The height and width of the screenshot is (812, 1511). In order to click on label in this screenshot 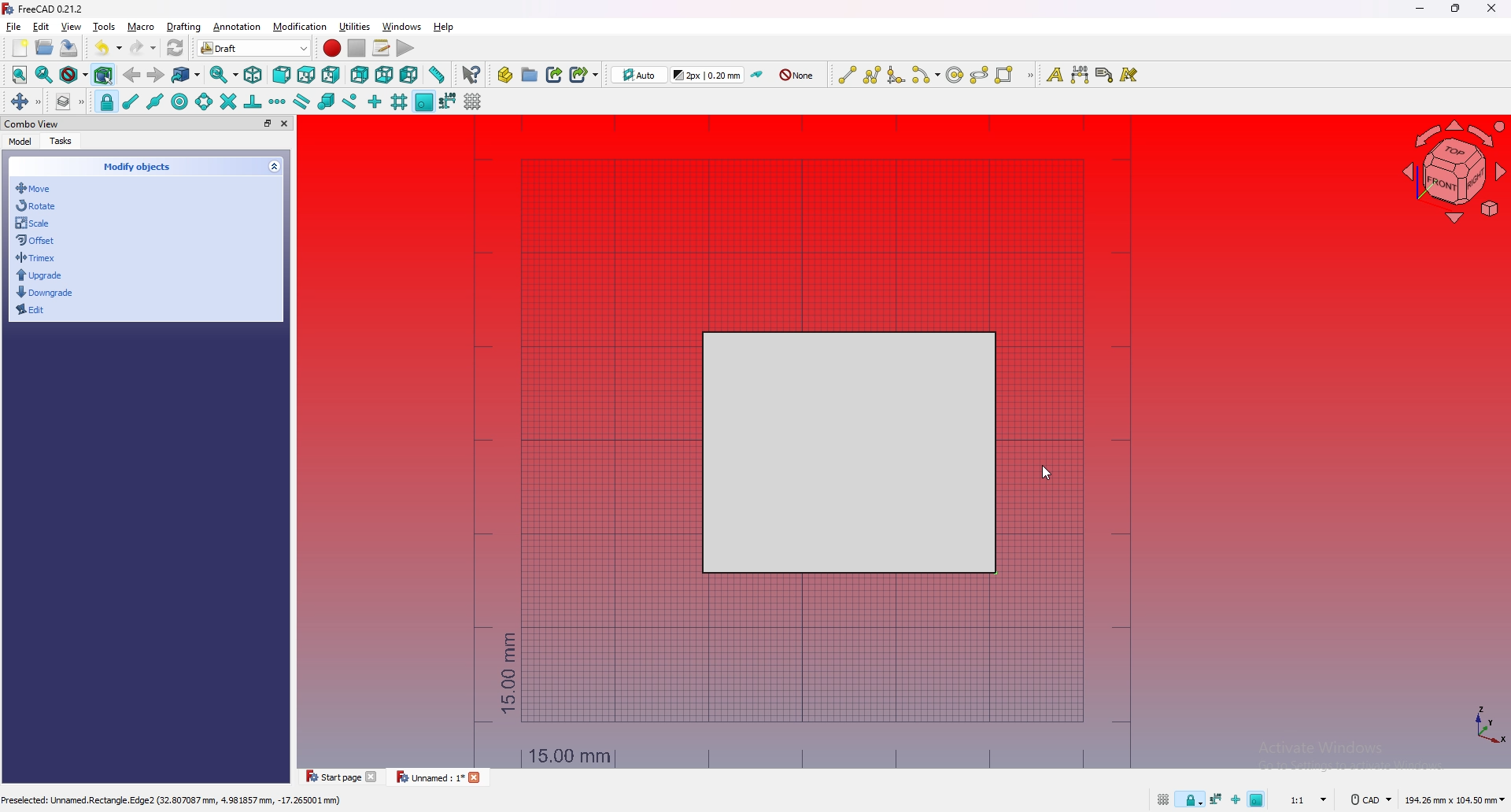, I will do `click(1105, 75)`.